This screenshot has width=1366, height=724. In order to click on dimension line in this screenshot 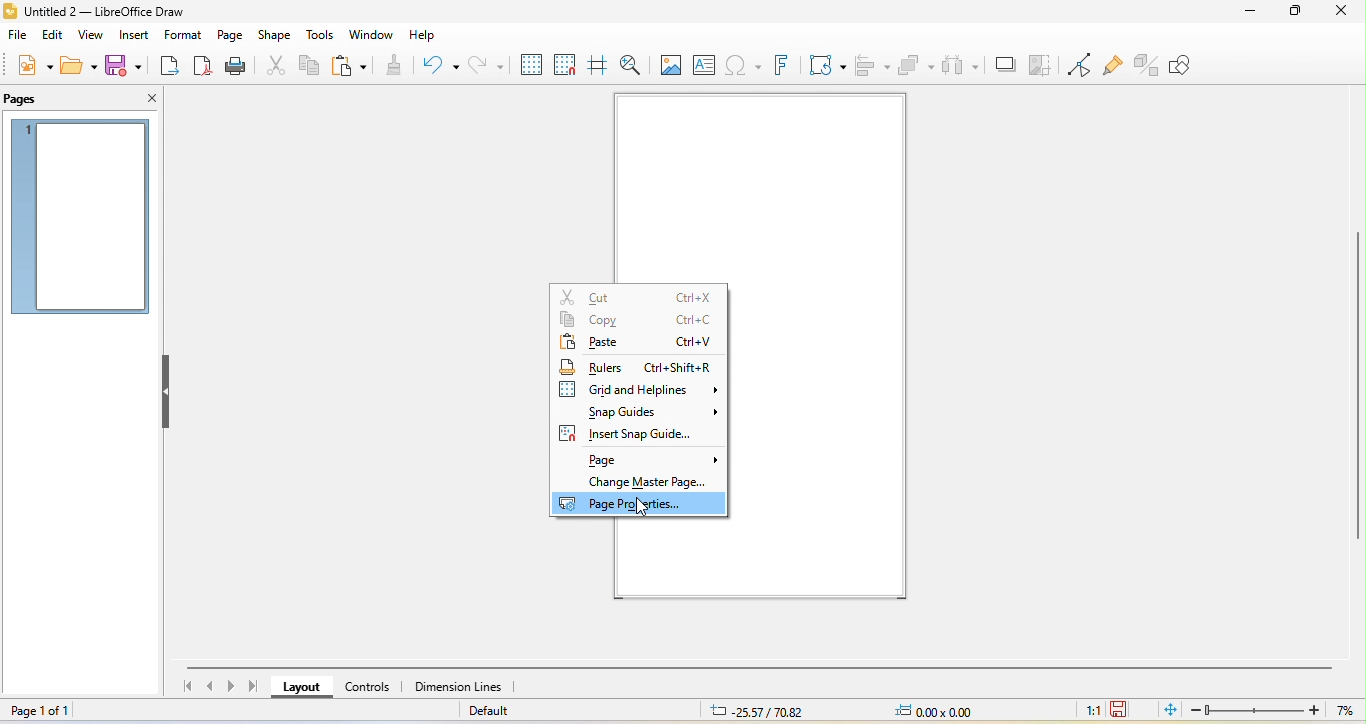, I will do `click(459, 688)`.